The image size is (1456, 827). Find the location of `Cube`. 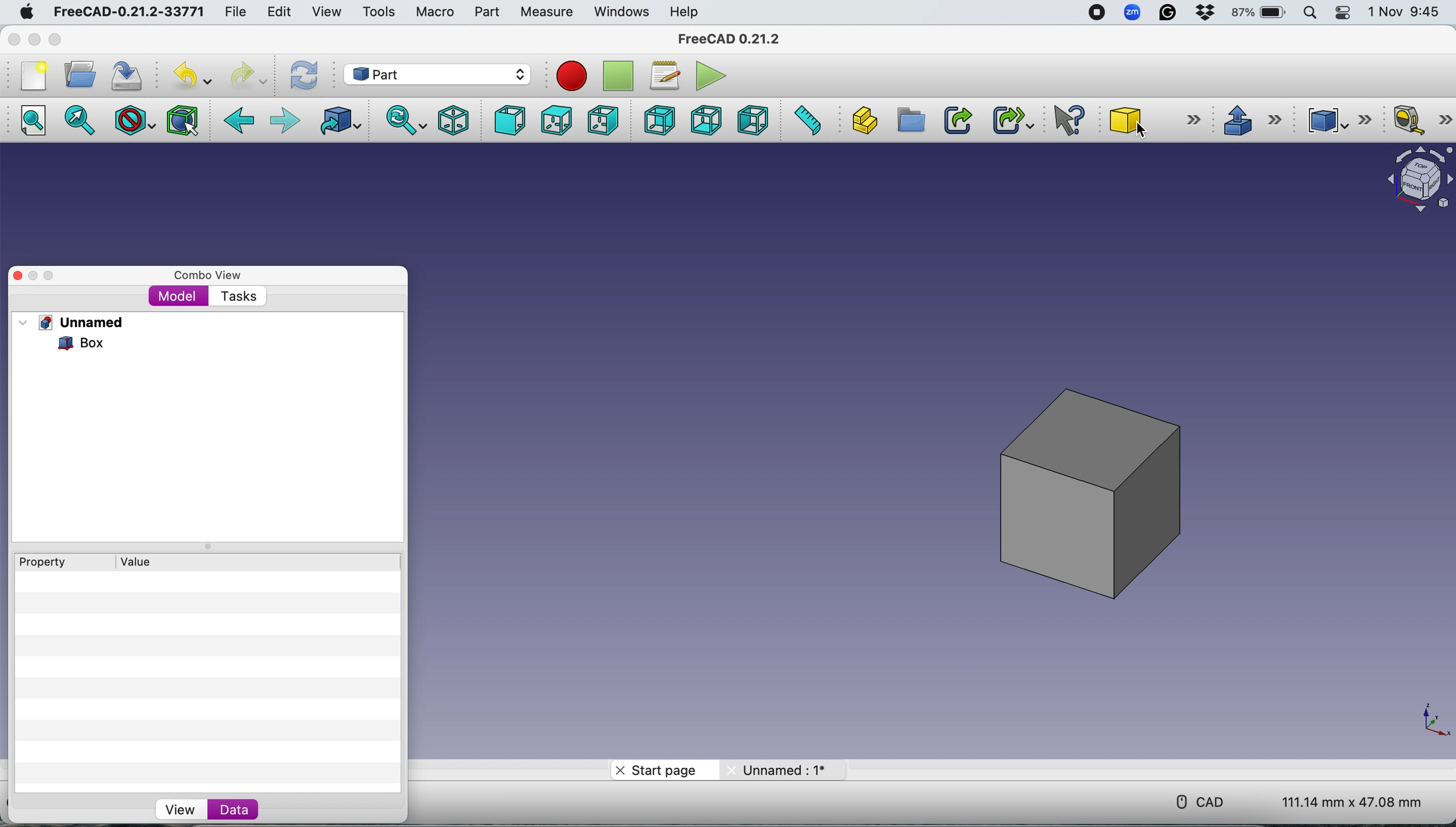

Cube is located at coordinates (1151, 118).